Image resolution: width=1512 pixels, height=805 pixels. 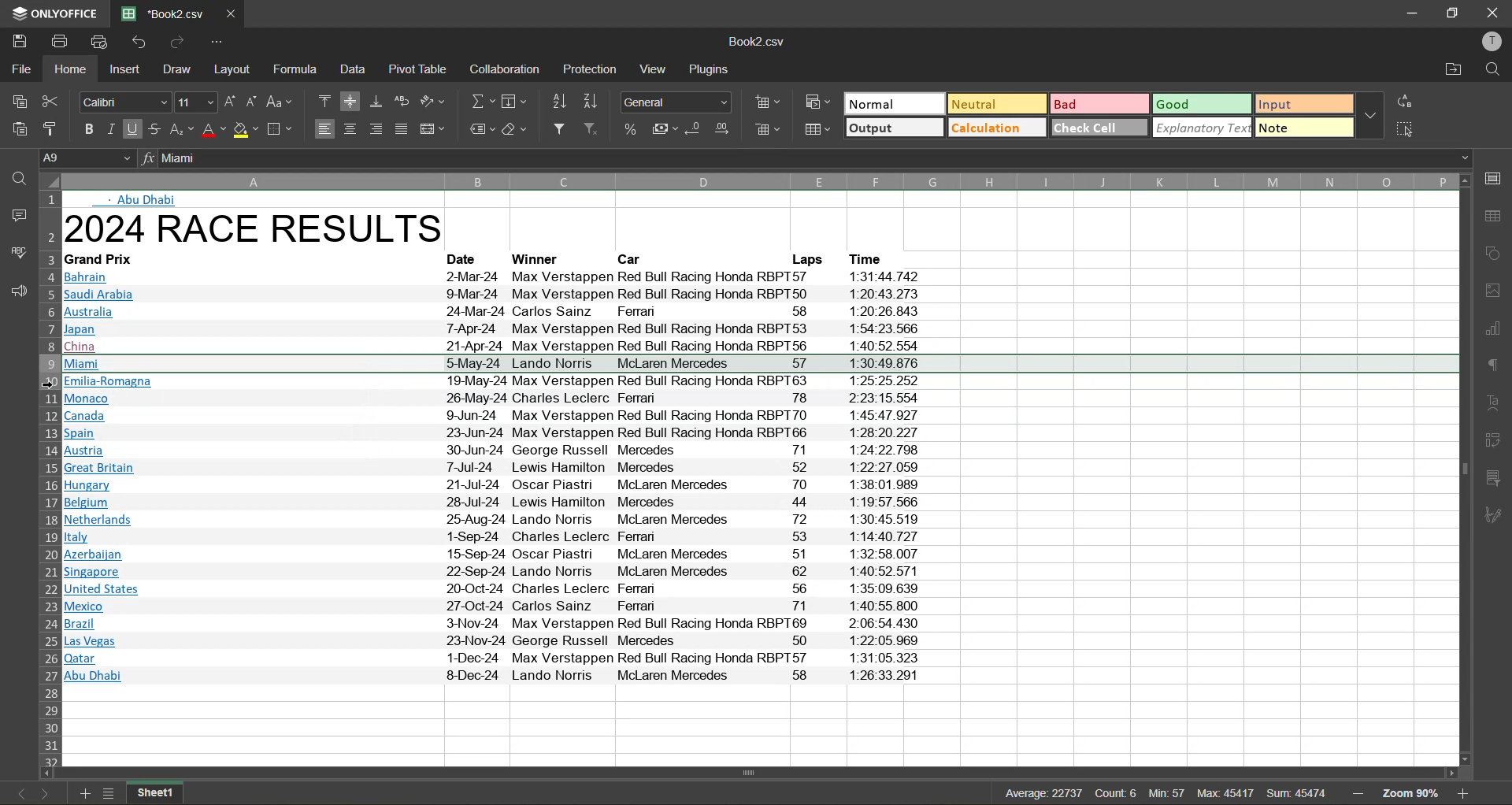 What do you see at coordinates (591, 101) in the screenshot?
I see `sort descending` at bounding box center [591, 101].